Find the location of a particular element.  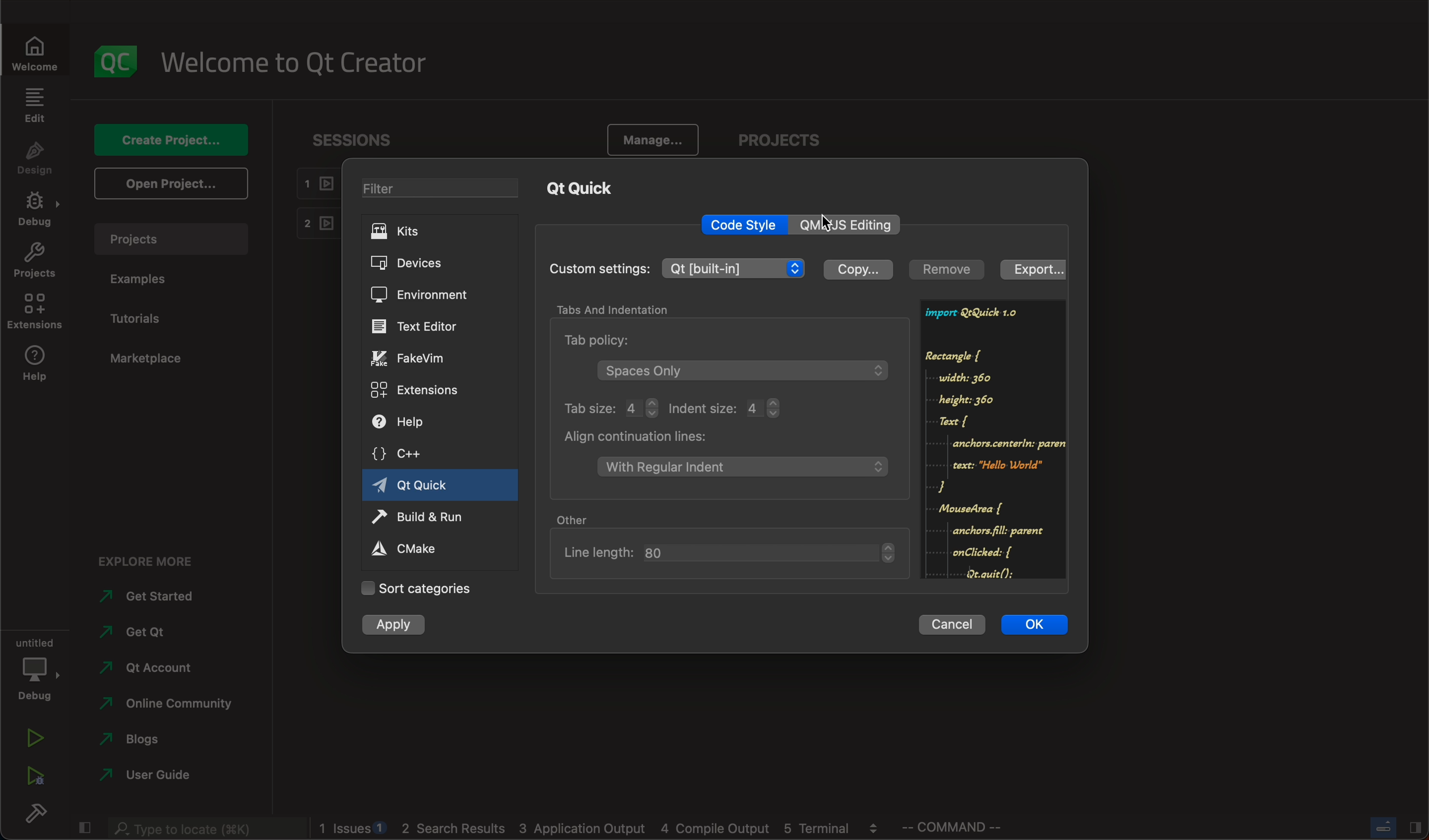

align lines is located at coordinates (729, 454).